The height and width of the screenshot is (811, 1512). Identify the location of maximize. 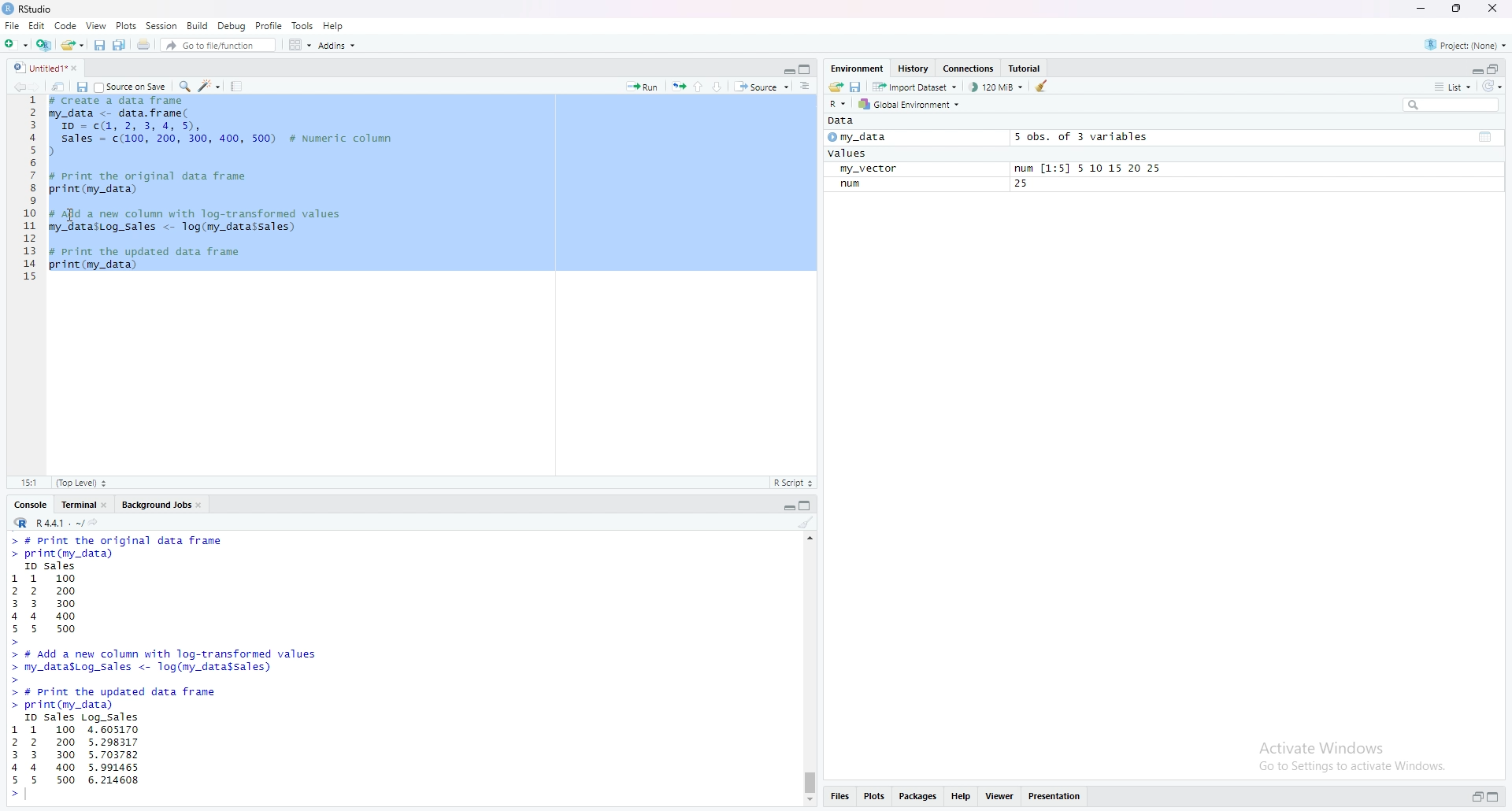
(1499, 68).